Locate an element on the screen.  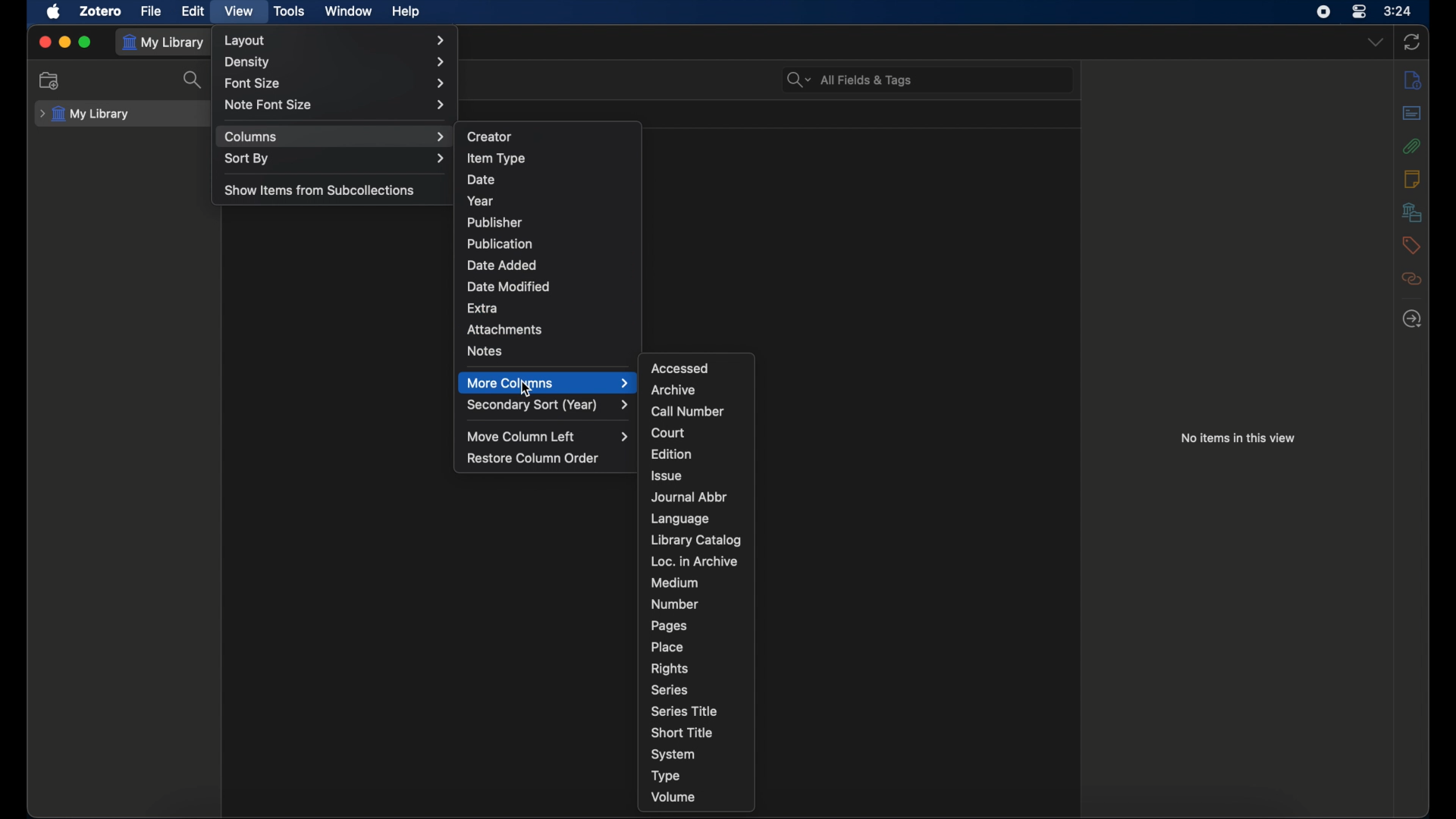
no item in this view is located at coordinates (1238, 438).